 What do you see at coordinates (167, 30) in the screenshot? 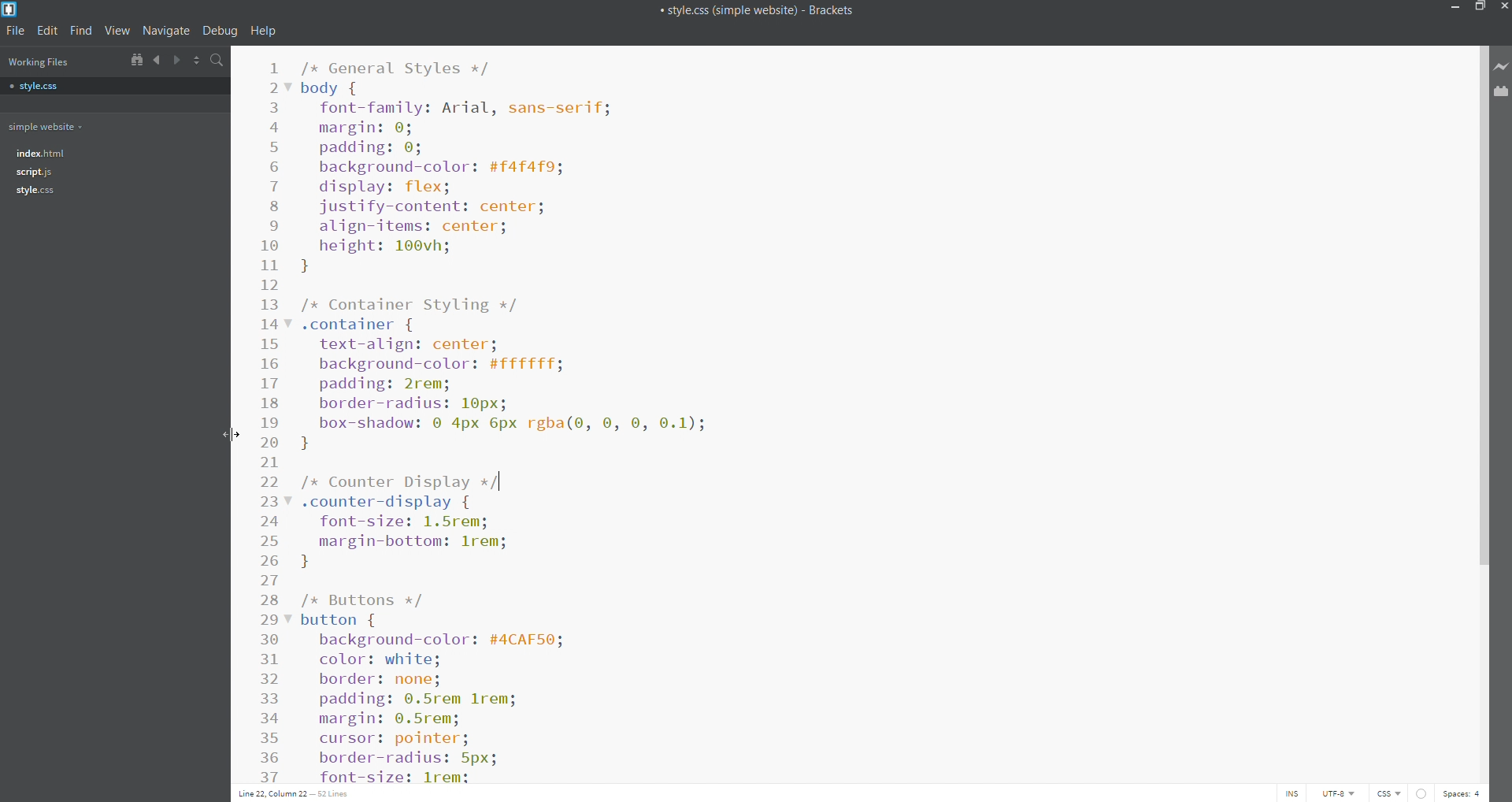
I see `Navigate` at bounding box center [167, 30].